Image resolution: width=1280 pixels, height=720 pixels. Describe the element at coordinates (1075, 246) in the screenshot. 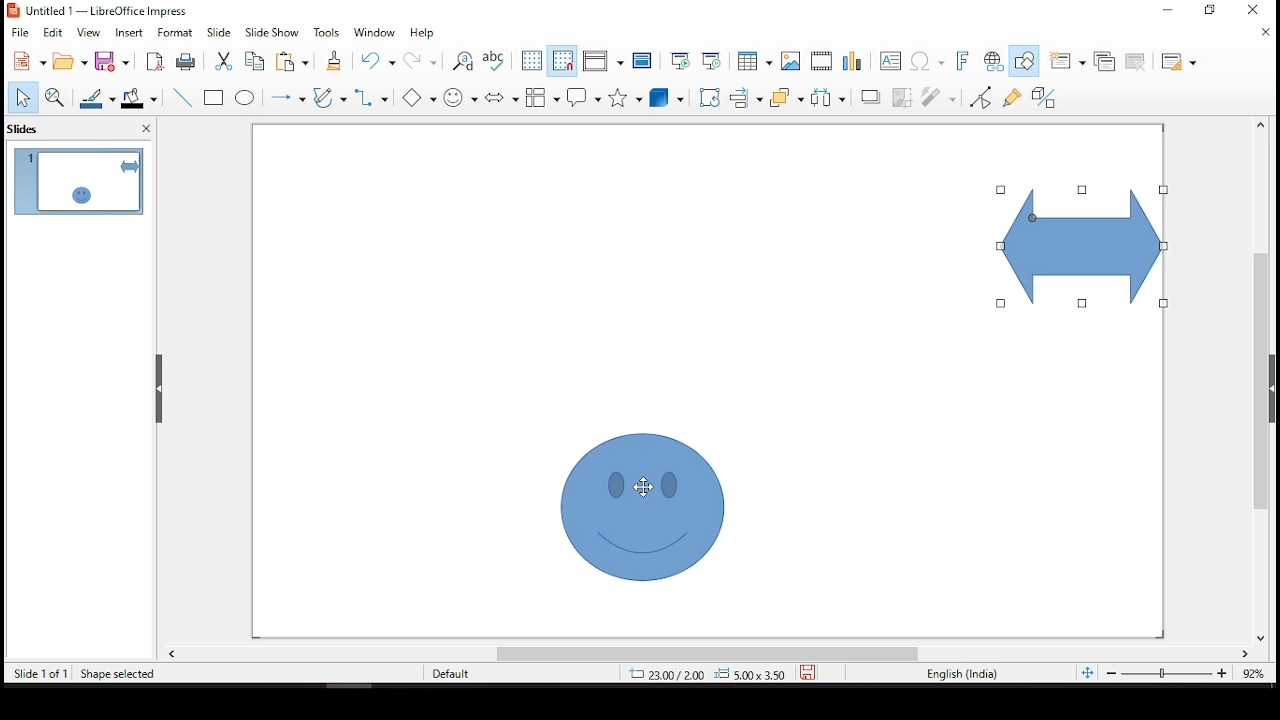

I see `shape (selected)` at that location.